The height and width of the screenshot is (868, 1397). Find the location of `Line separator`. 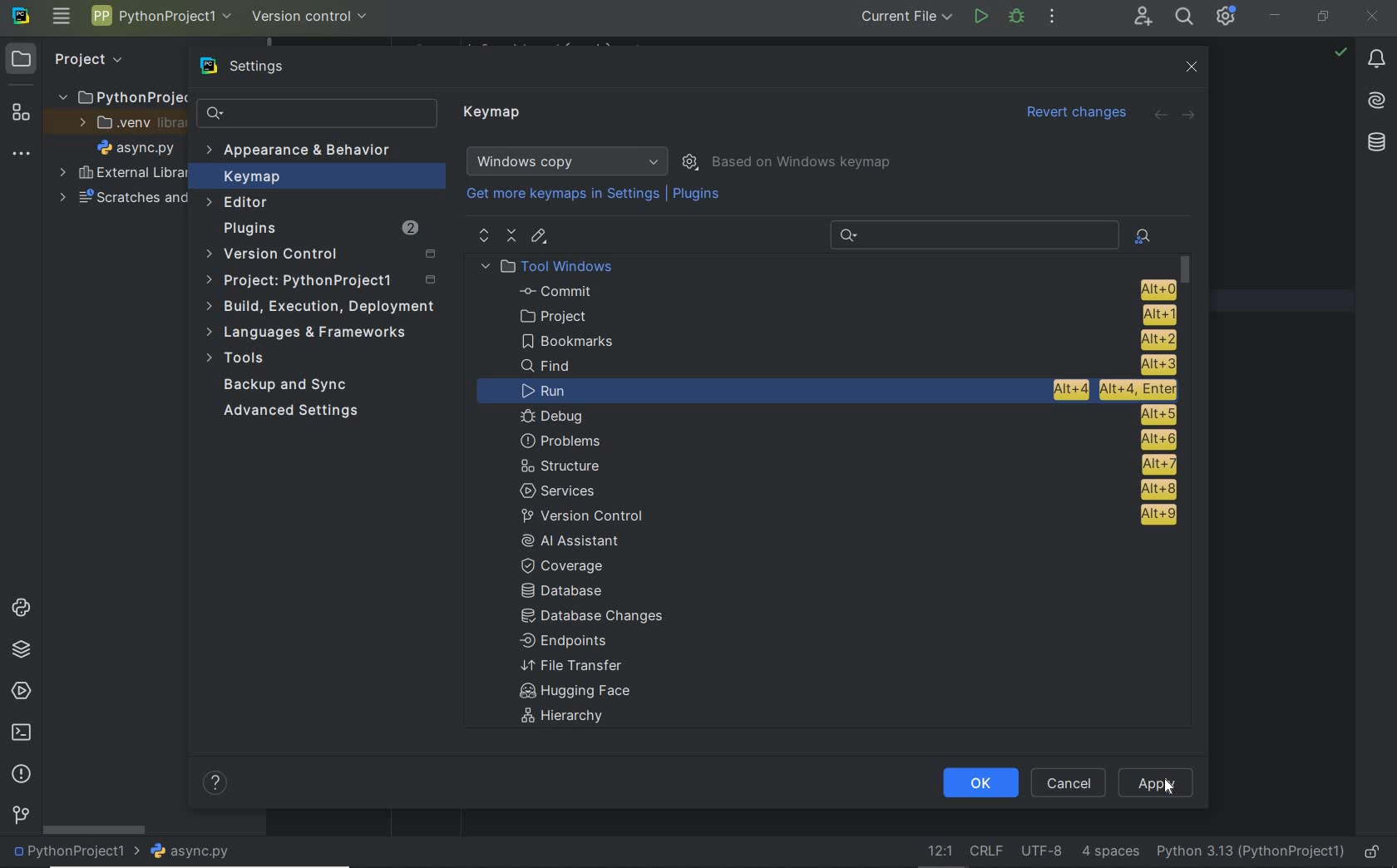

Line separator is located at coordinates (985, 851).